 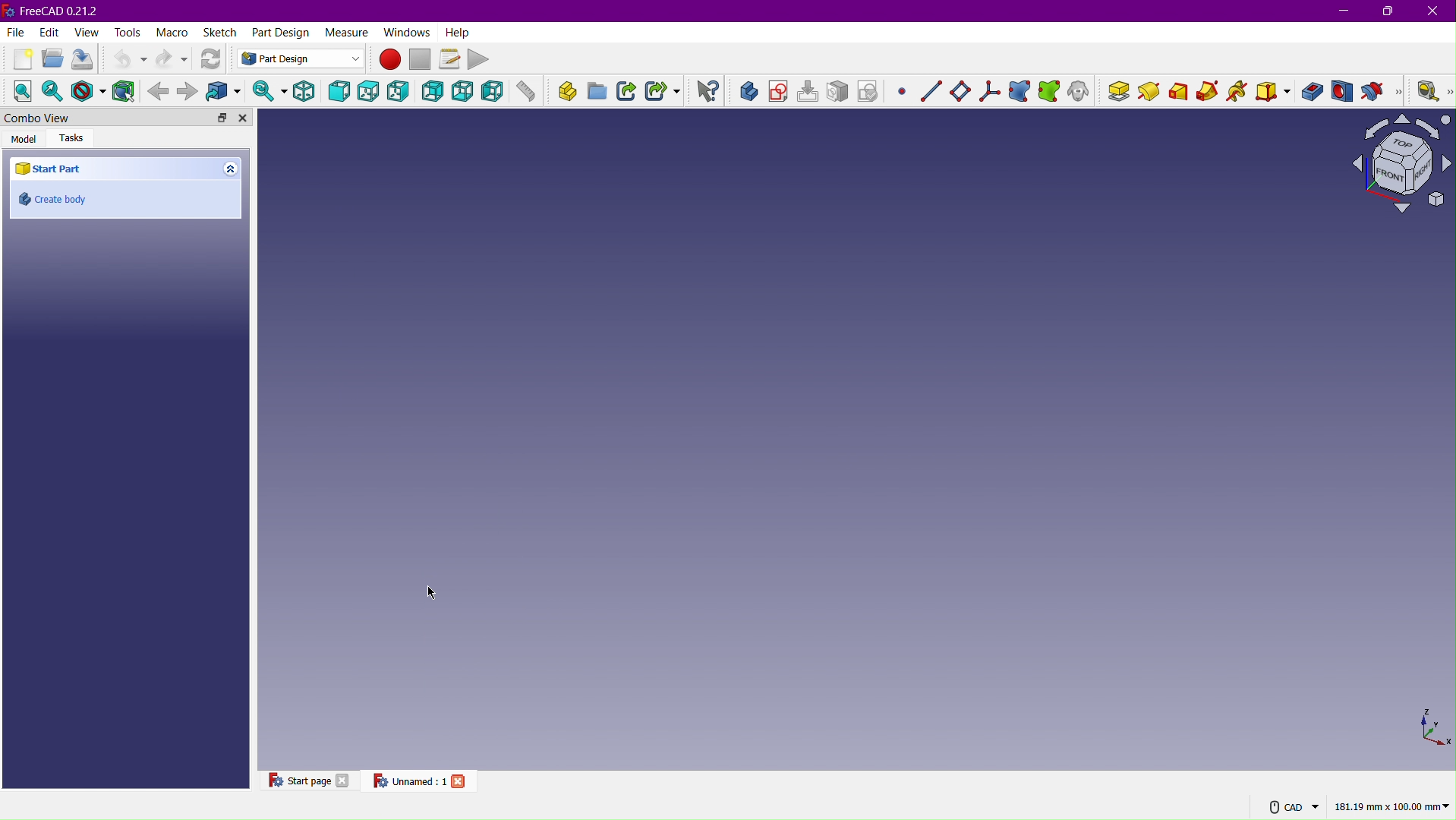 I want to click on Start Part, so click(x=68, y=169).